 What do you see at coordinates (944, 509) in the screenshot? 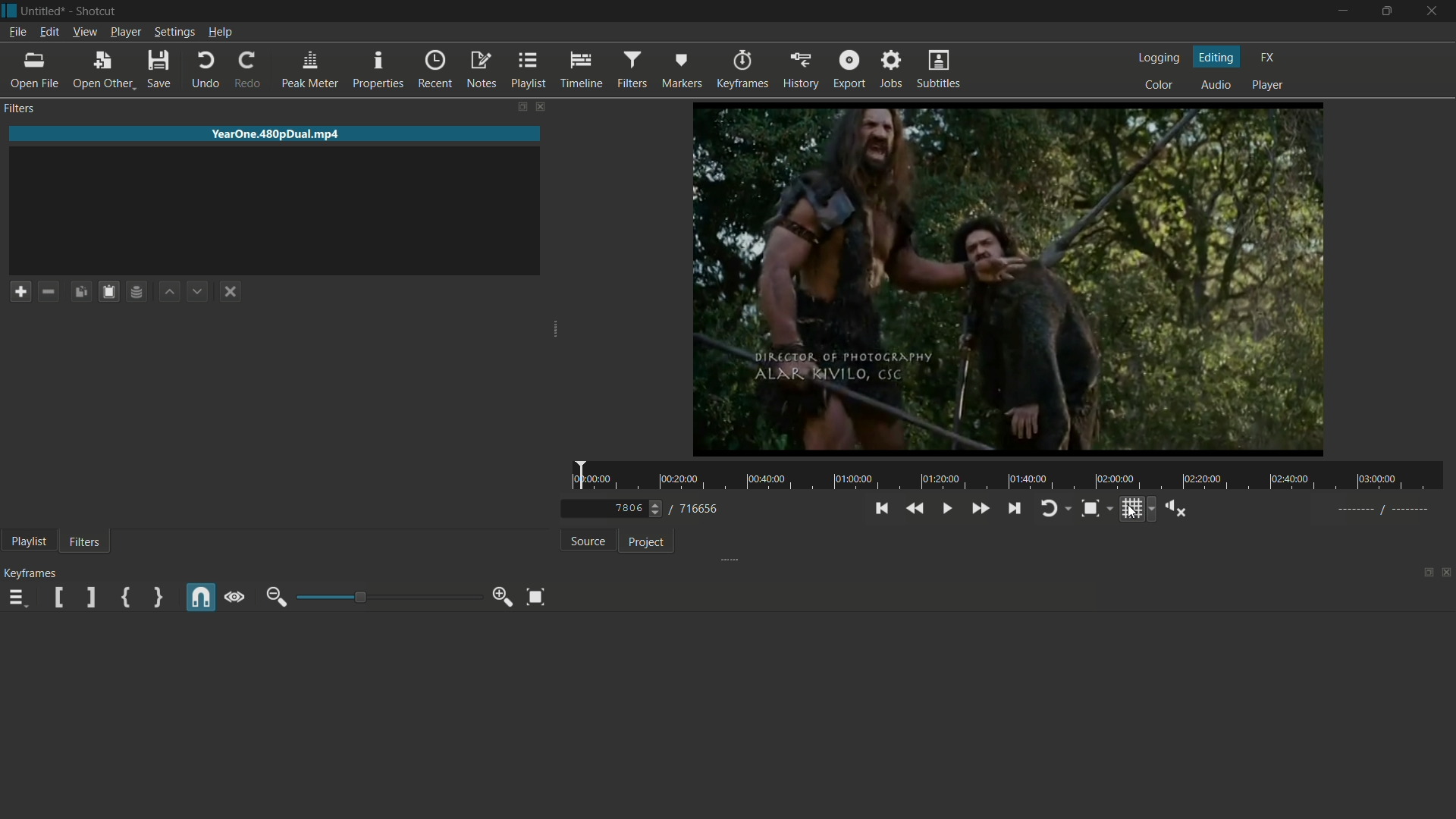
I see `toggle play or pause` at bounding box center [944, 509].